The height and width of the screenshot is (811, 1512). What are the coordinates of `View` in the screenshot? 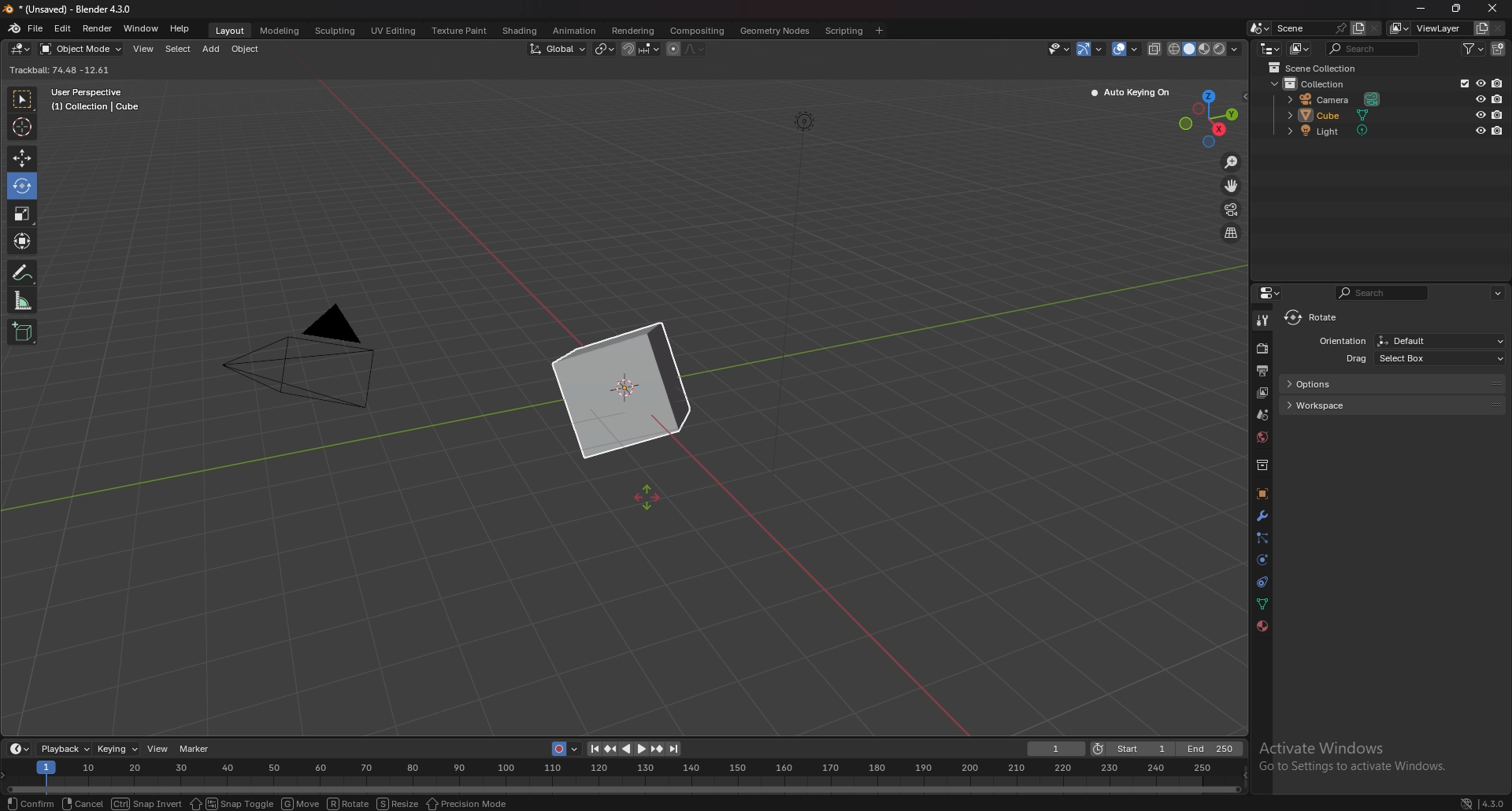 It's located at (157, 749).